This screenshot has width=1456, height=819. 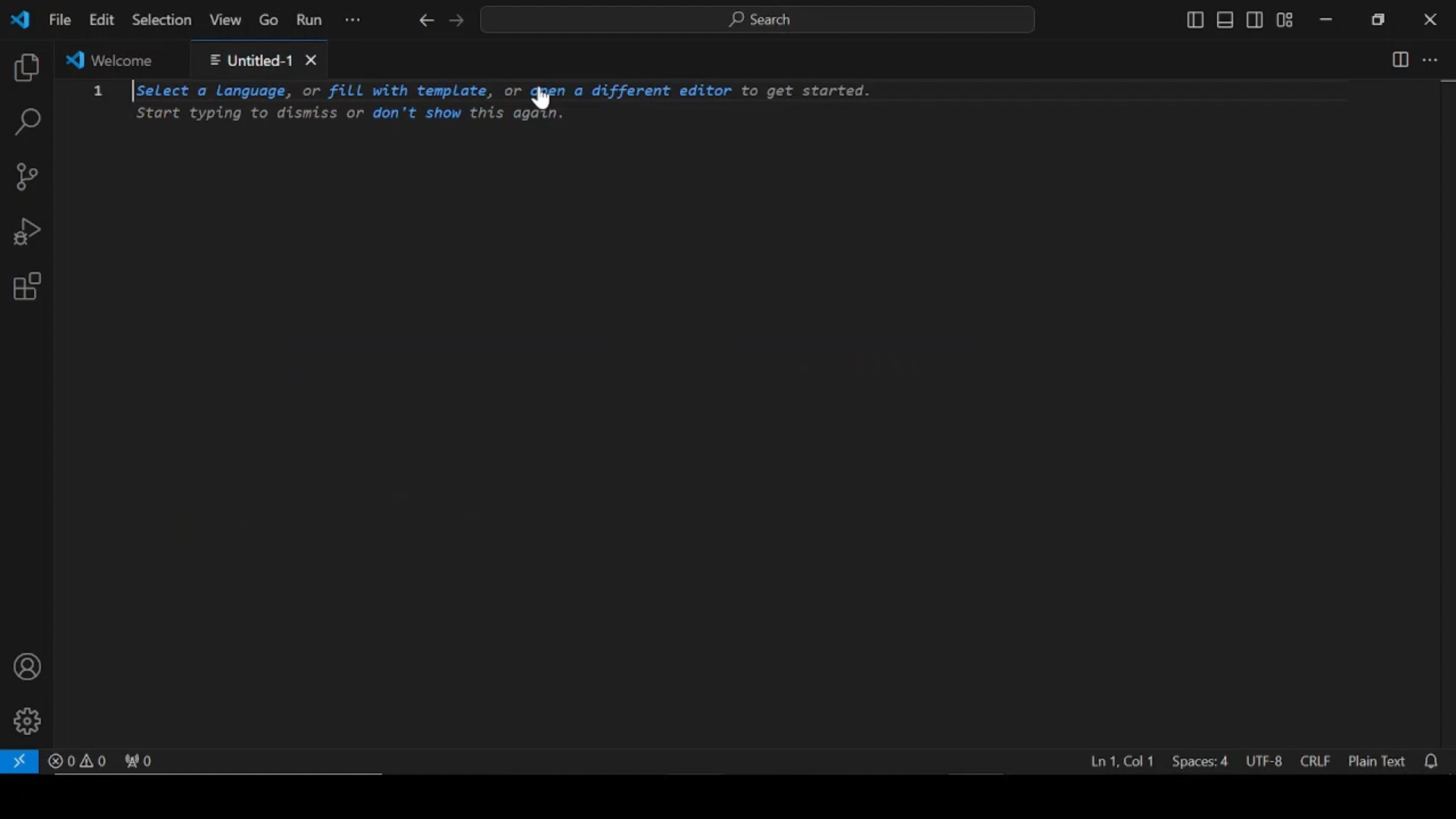 I want to click on notifications, so click(x=1433, y=763).